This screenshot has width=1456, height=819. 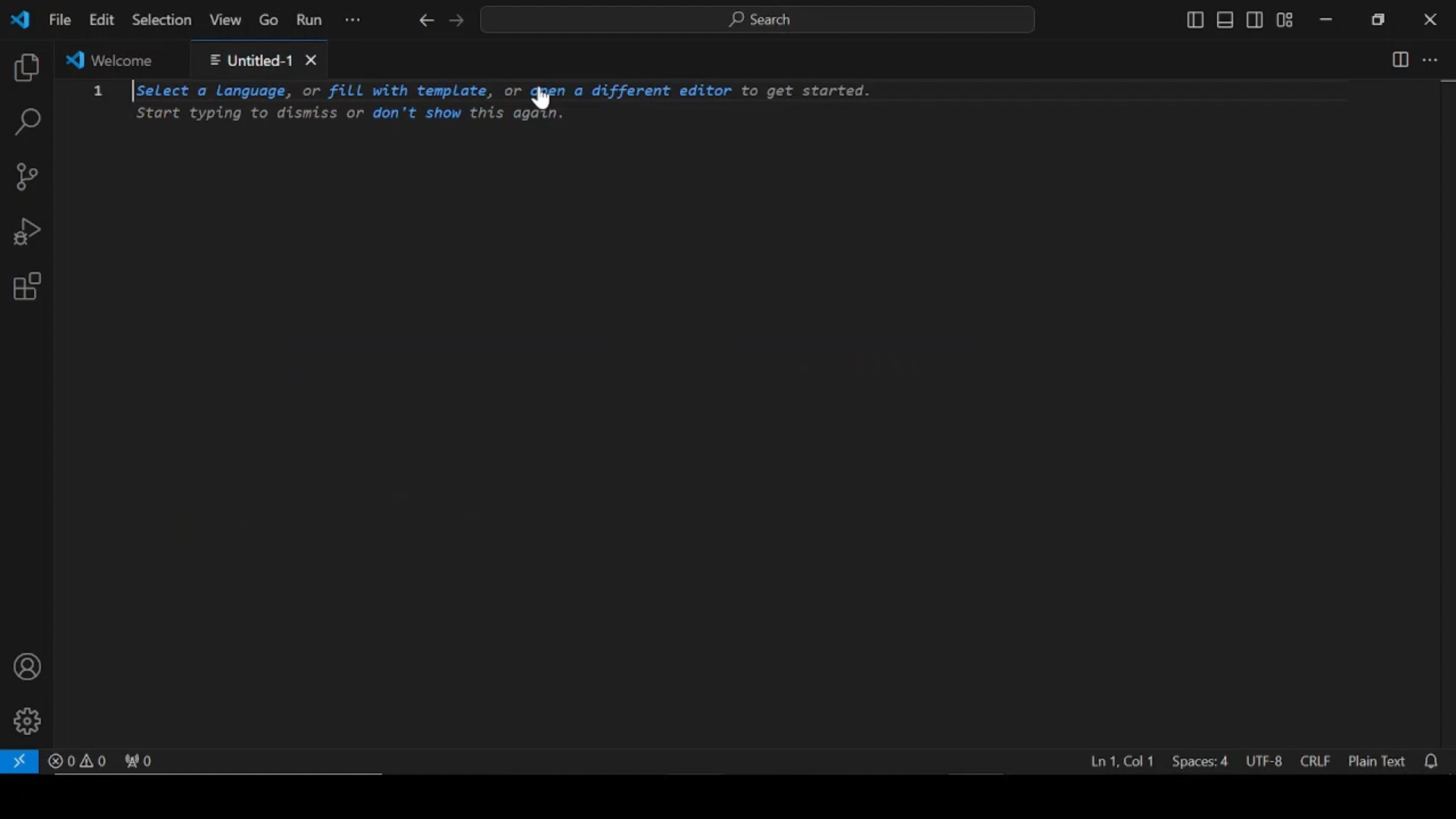 I want to click on notifications, so click(x=1433, y=763).